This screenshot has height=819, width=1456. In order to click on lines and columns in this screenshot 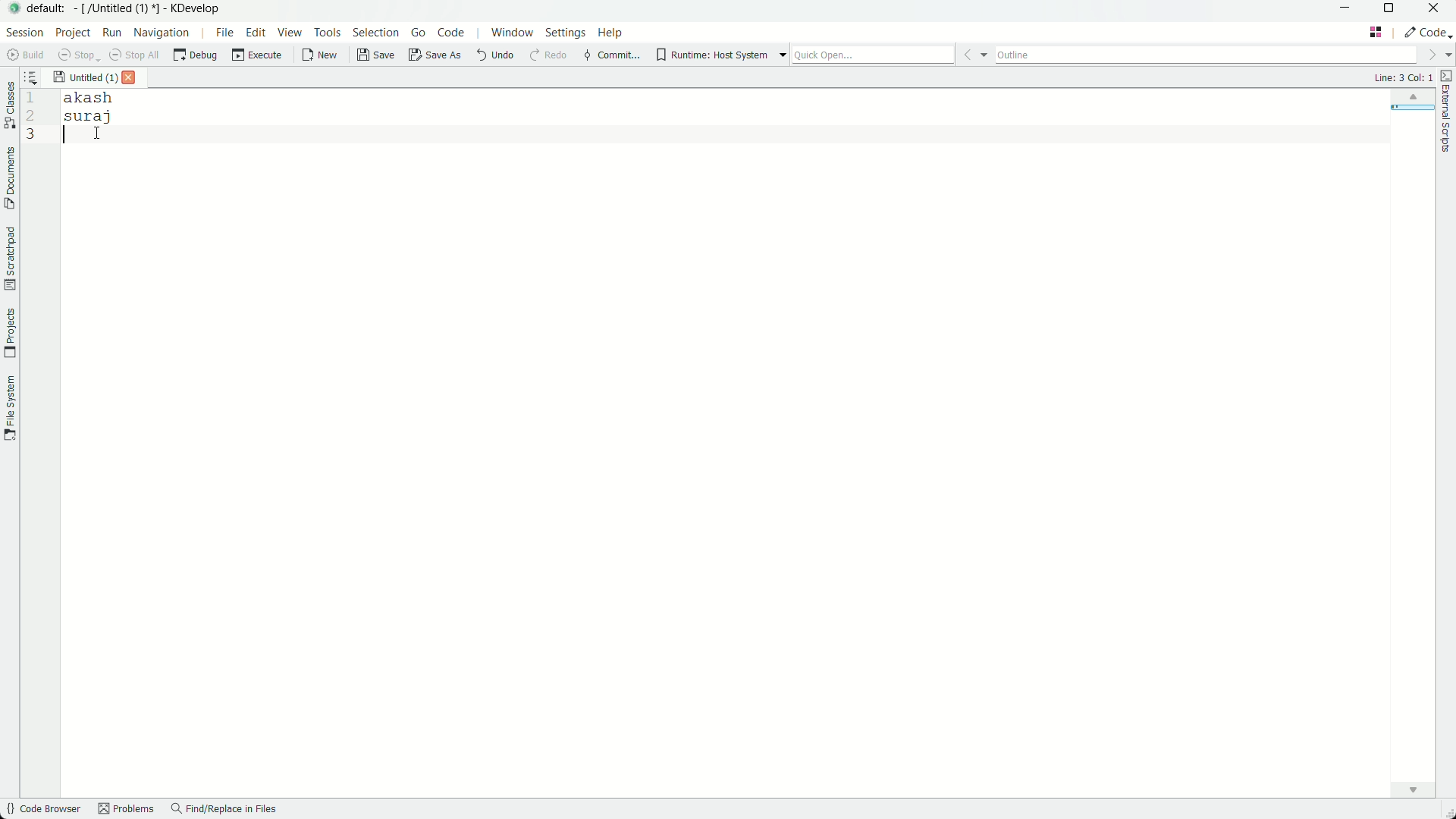, I will do `click(1402, 77)`.